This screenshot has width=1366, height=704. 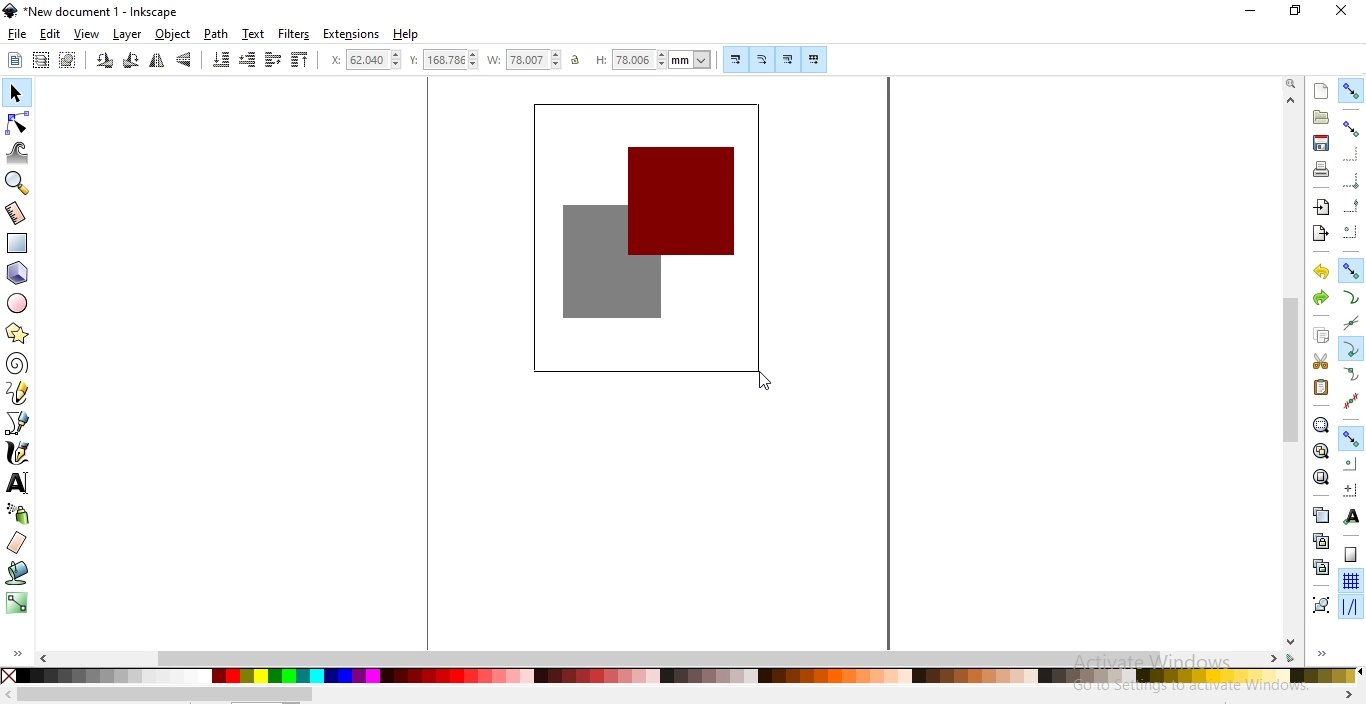 I want to click on height of selection, so click(x=656, y=59).